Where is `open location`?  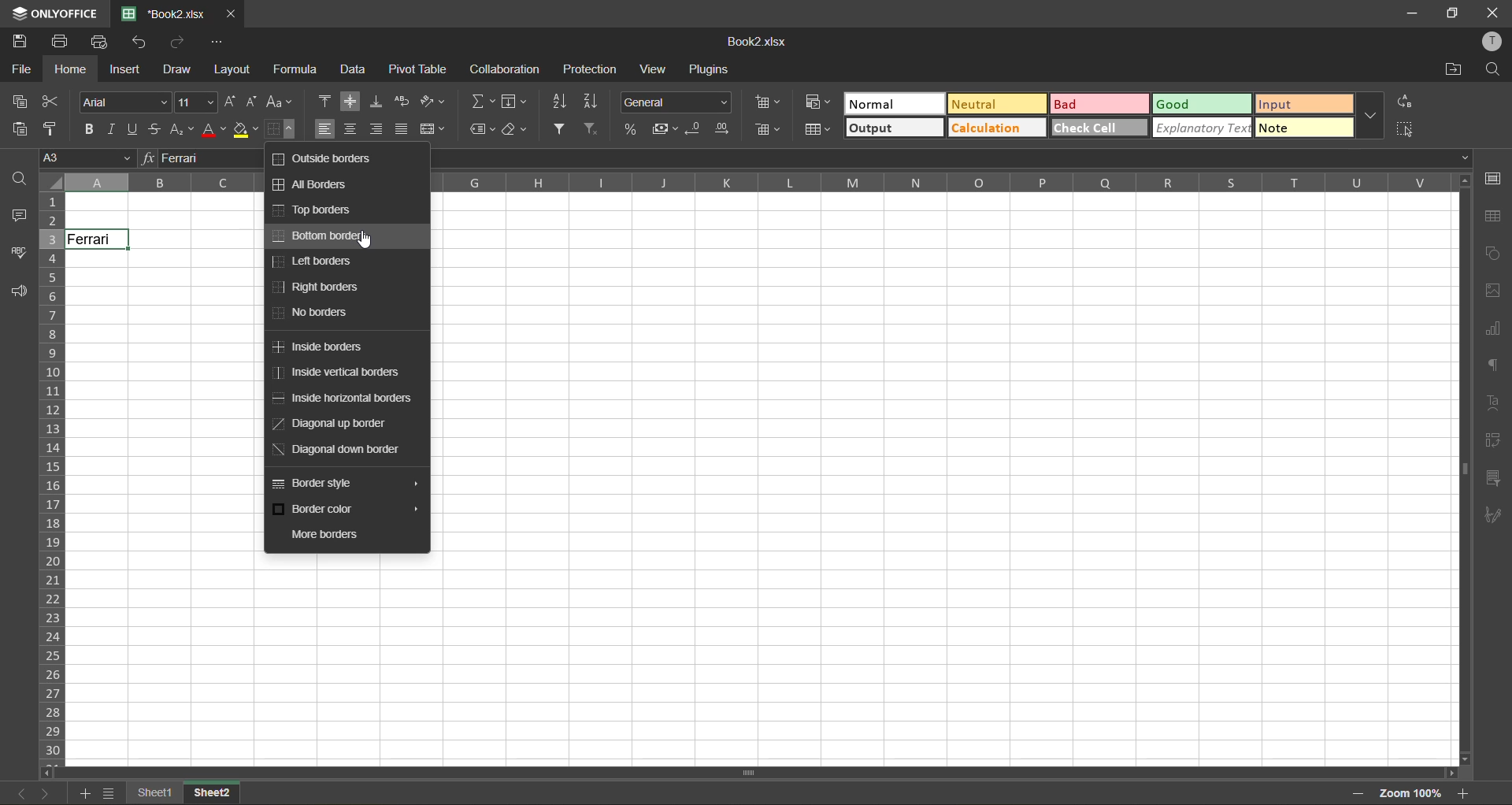 open location is located at coordinates (1455, 69).